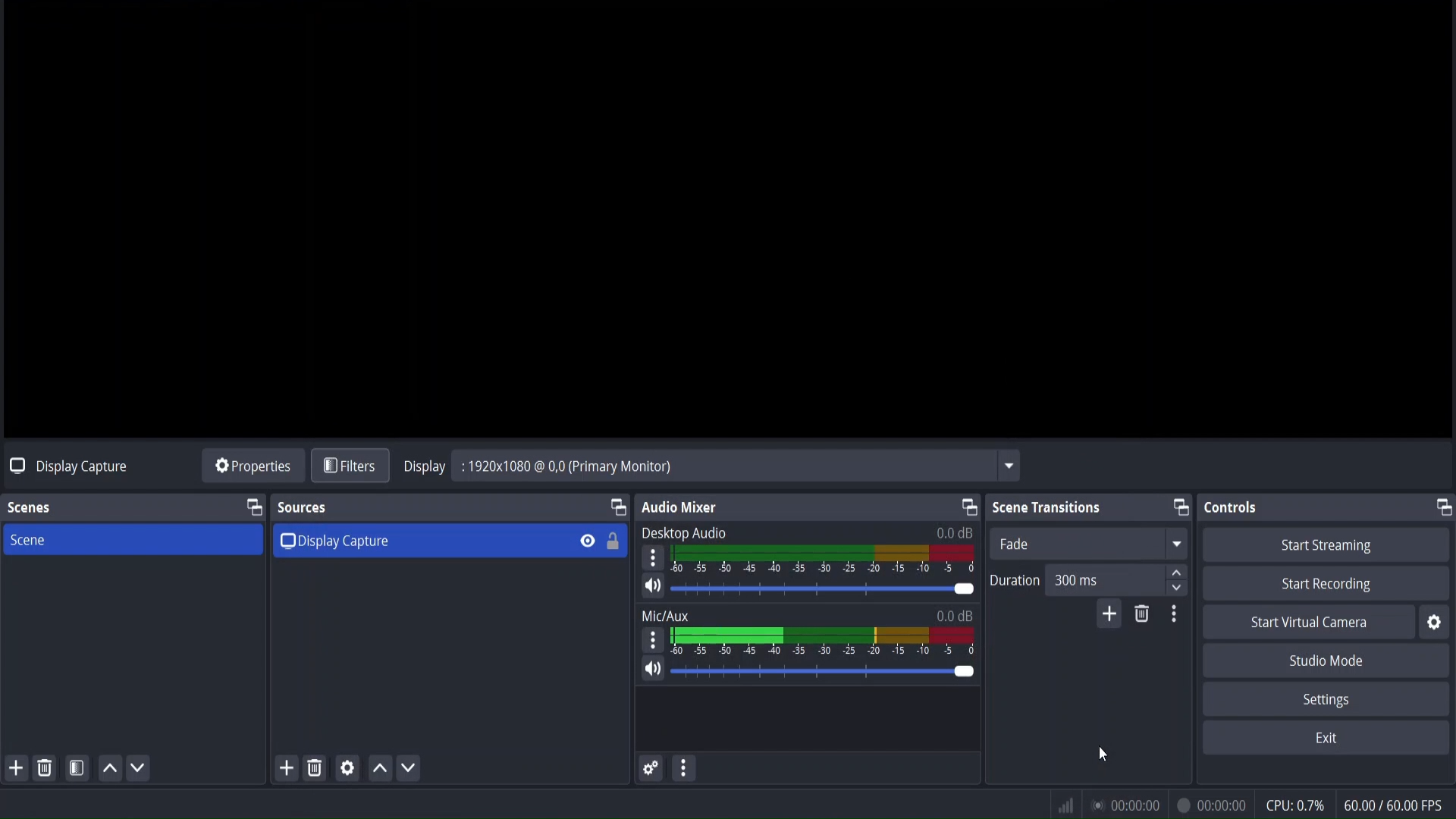 This screenshot has width=1456, height=819. What do you see at coordinates (351, 467) in the screenshot?
I see `filters` at bounding box center [351, 467].